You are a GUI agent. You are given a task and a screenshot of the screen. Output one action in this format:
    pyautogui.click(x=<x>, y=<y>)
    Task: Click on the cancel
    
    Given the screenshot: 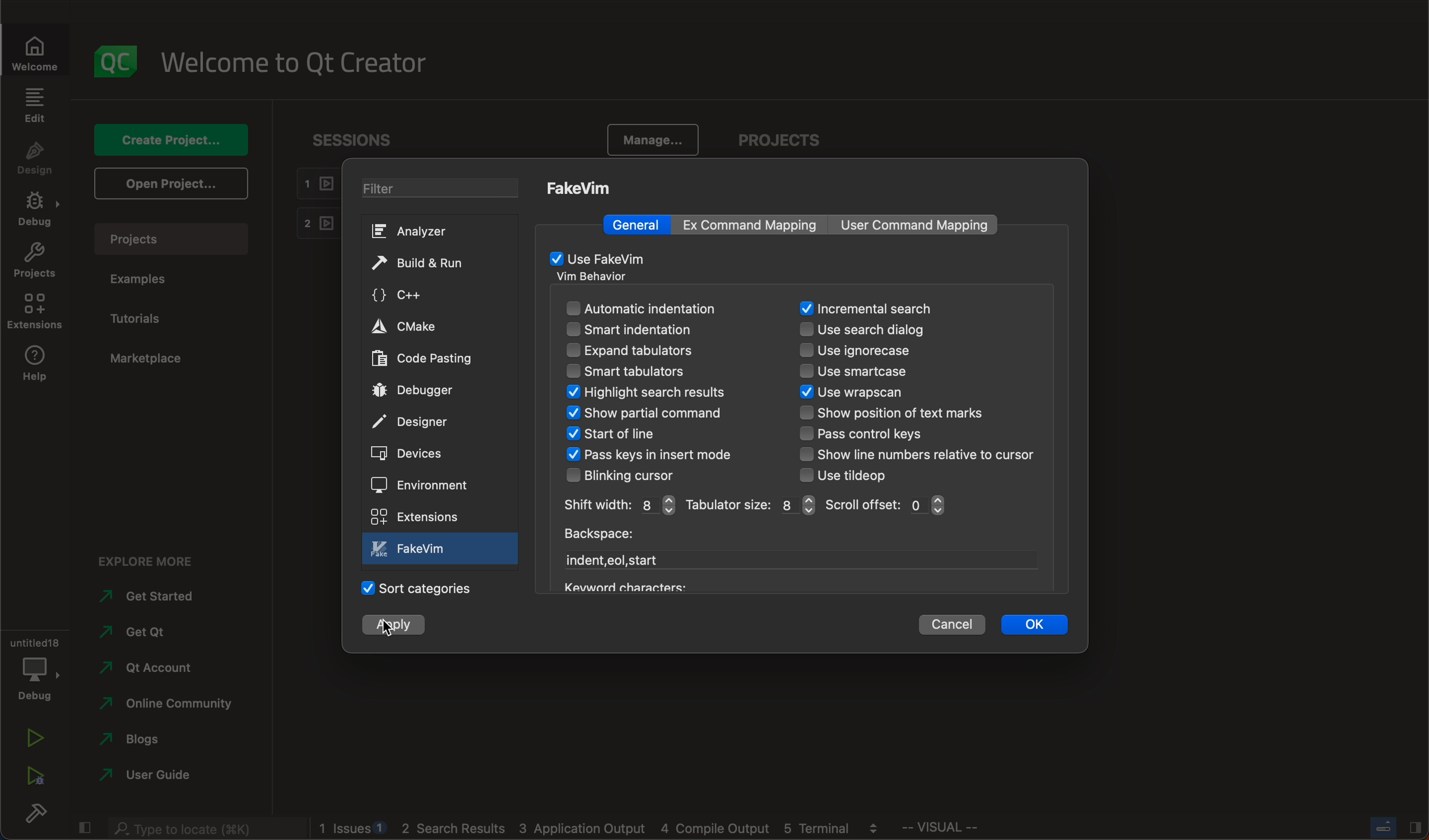 What is the action you would take?
    pyautogui.click(x=952, y=625)
    